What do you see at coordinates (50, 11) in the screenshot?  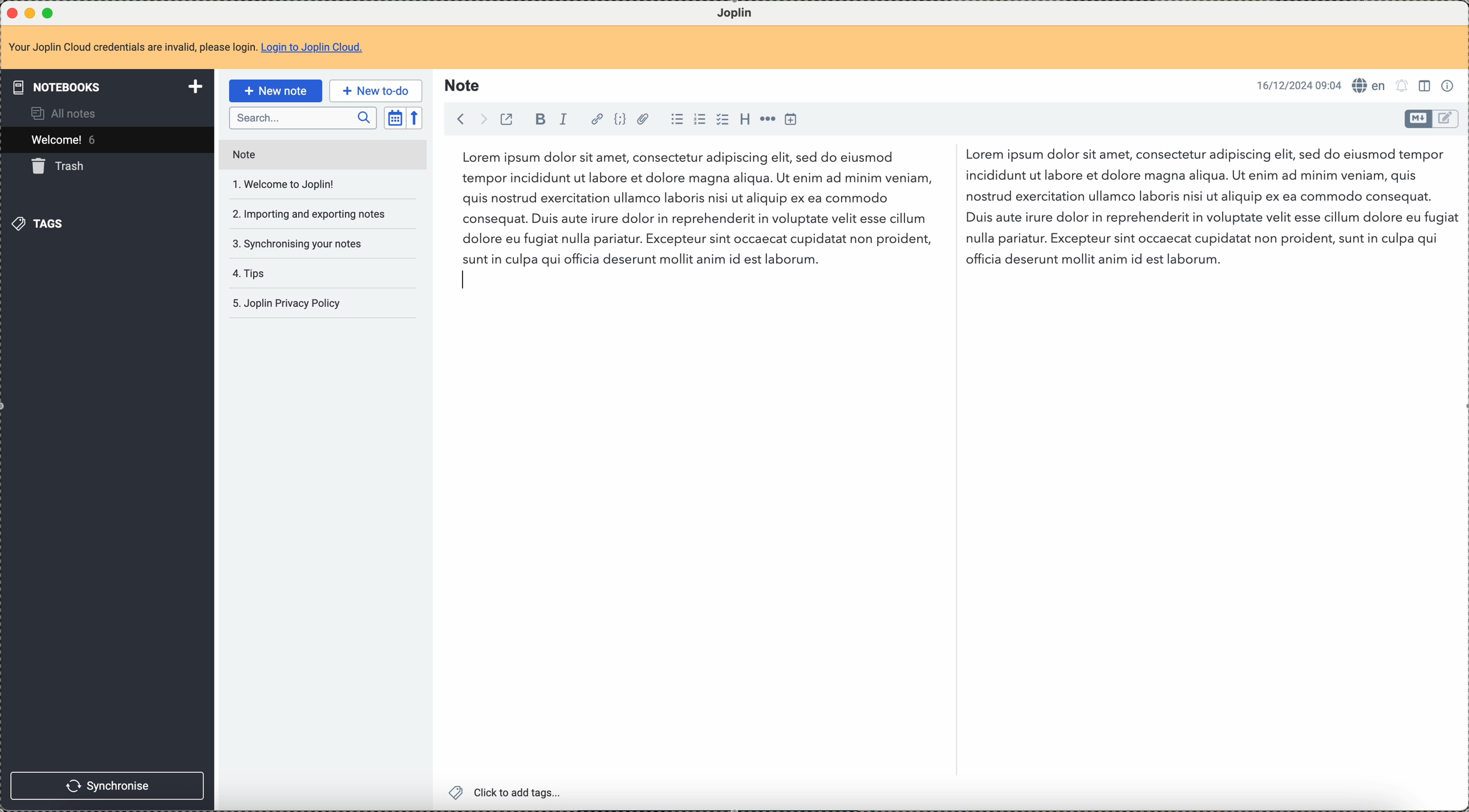 I see `maximize` at bounding box center [50, 11].